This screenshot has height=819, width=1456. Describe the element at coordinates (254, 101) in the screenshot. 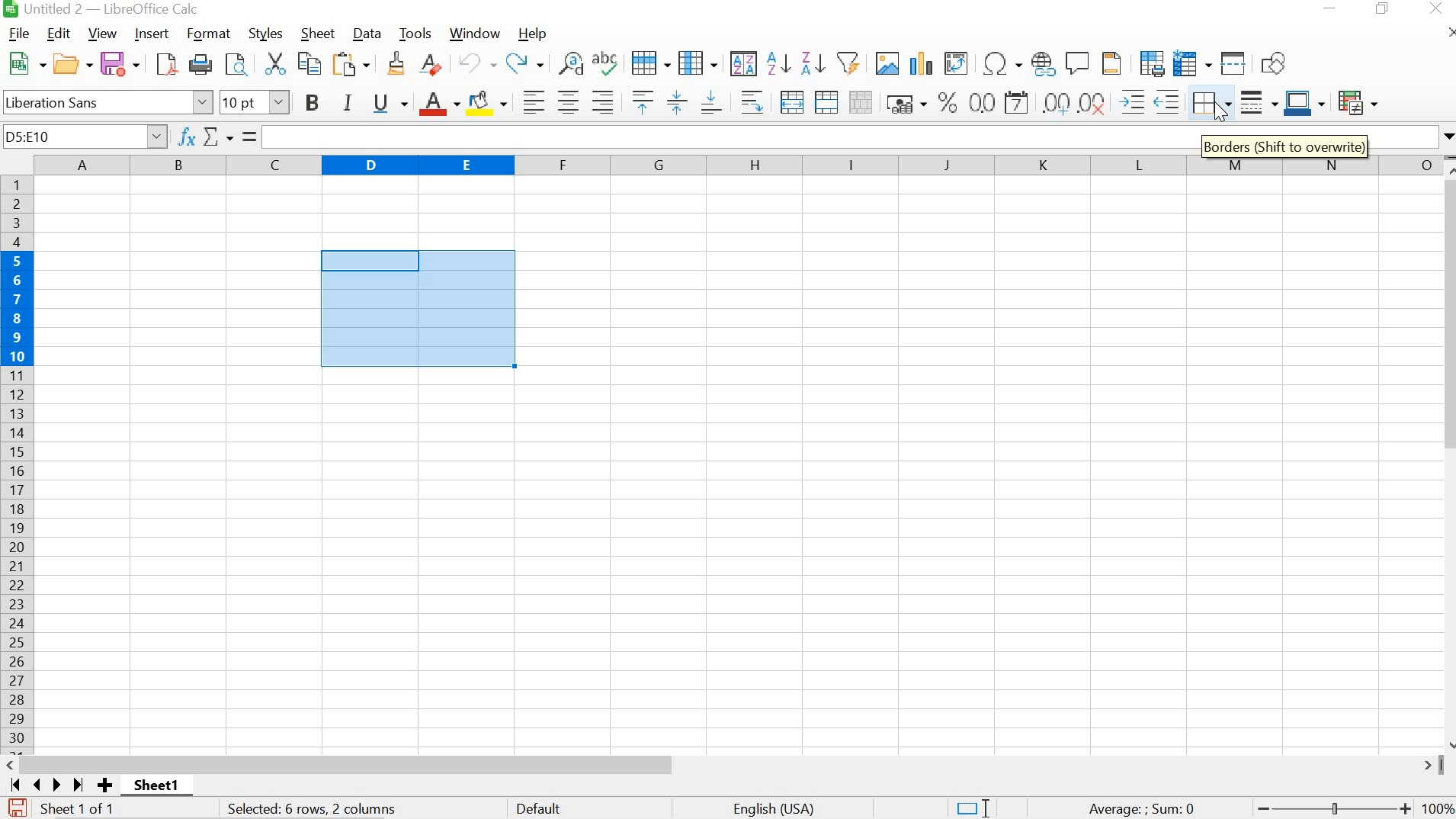

I see `FONT SIZE` at that location.